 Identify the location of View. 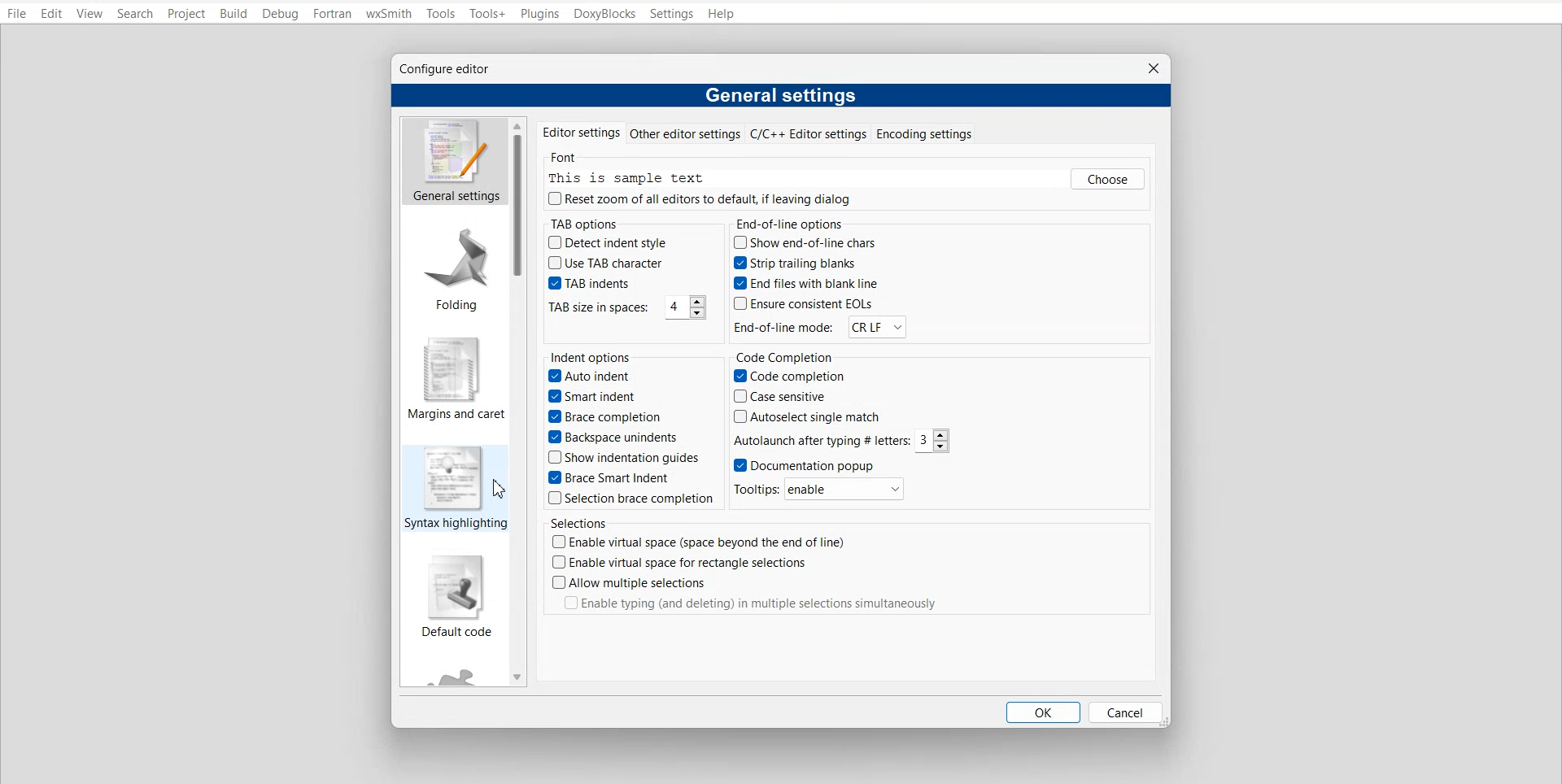
(89, 14).